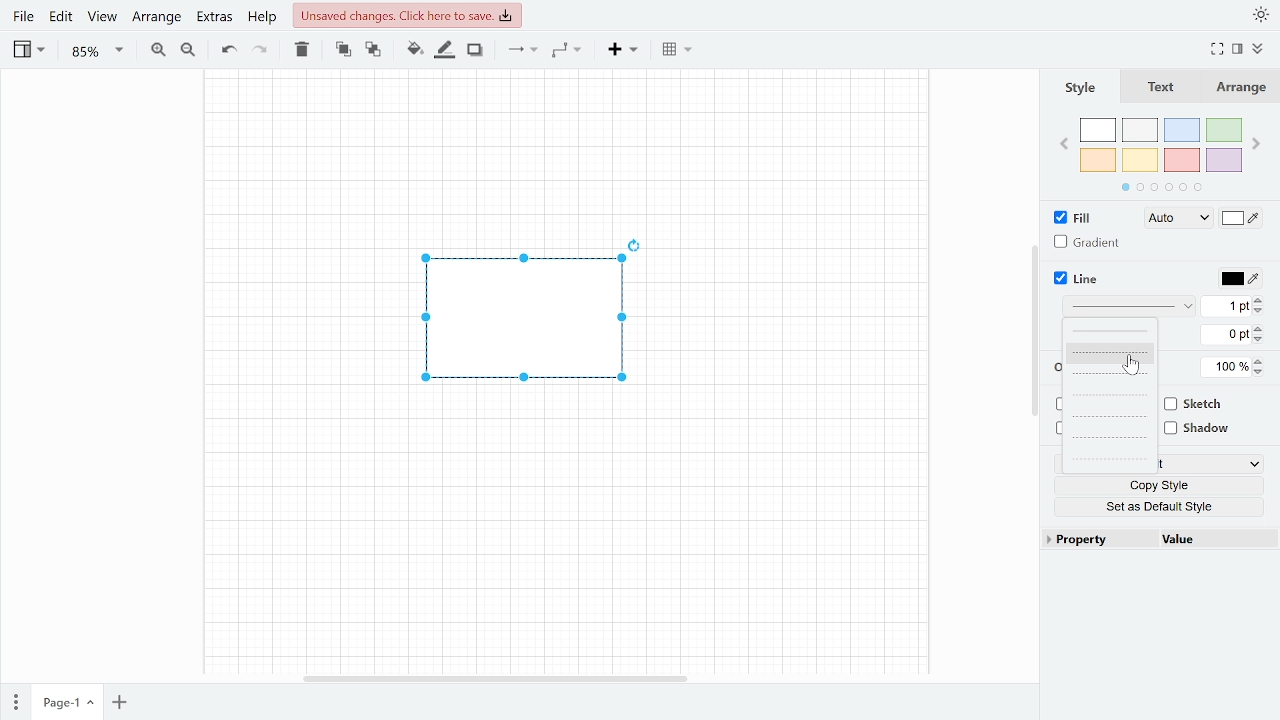 Image resolution: width=1280 pixels, height=720 pixels. Describe the element at coordinates (1212, 541) in the screenshot. I see `Value` at that location.